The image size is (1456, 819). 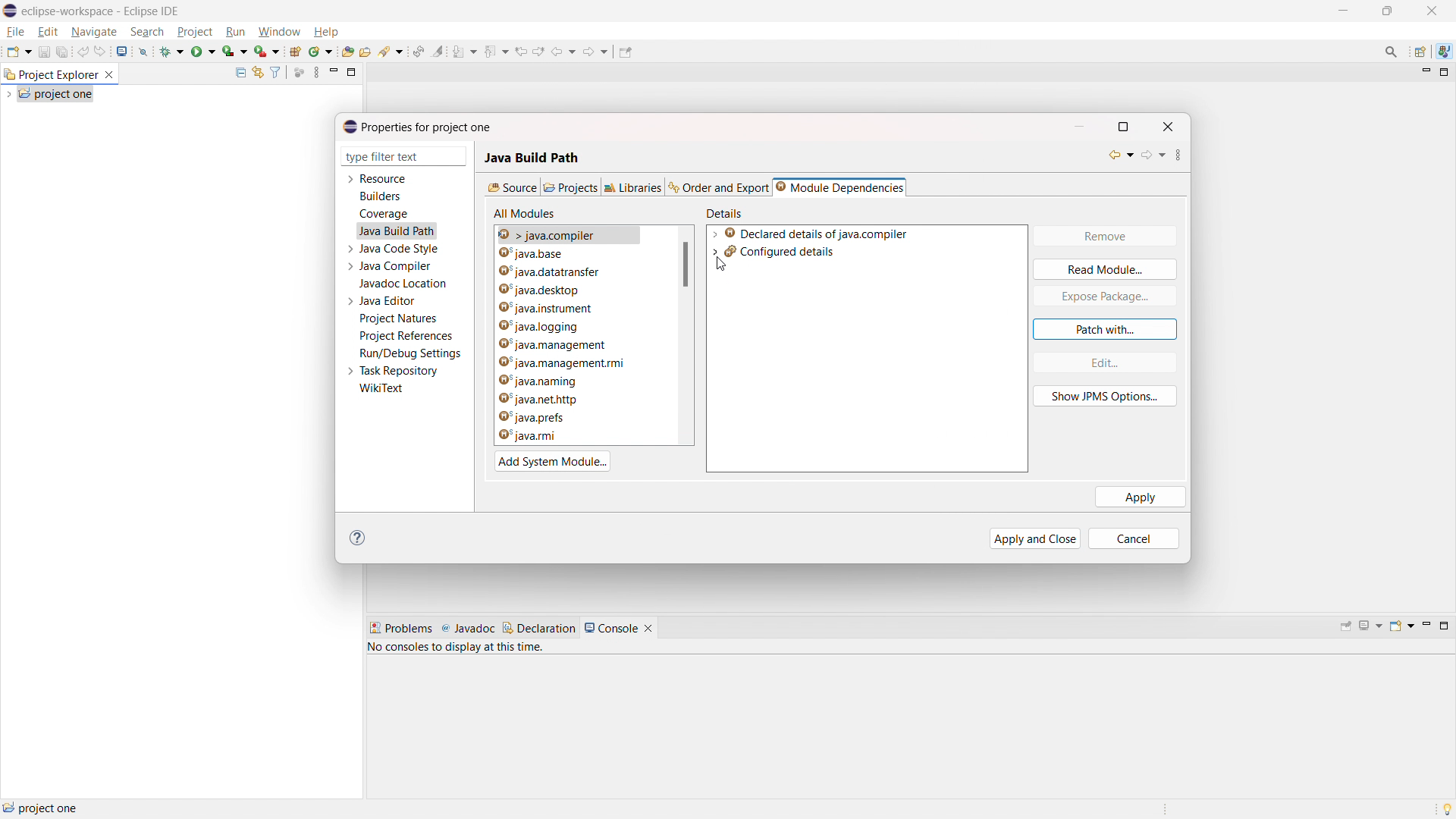 I want to click on Java build path, so click(x=532, y=152).